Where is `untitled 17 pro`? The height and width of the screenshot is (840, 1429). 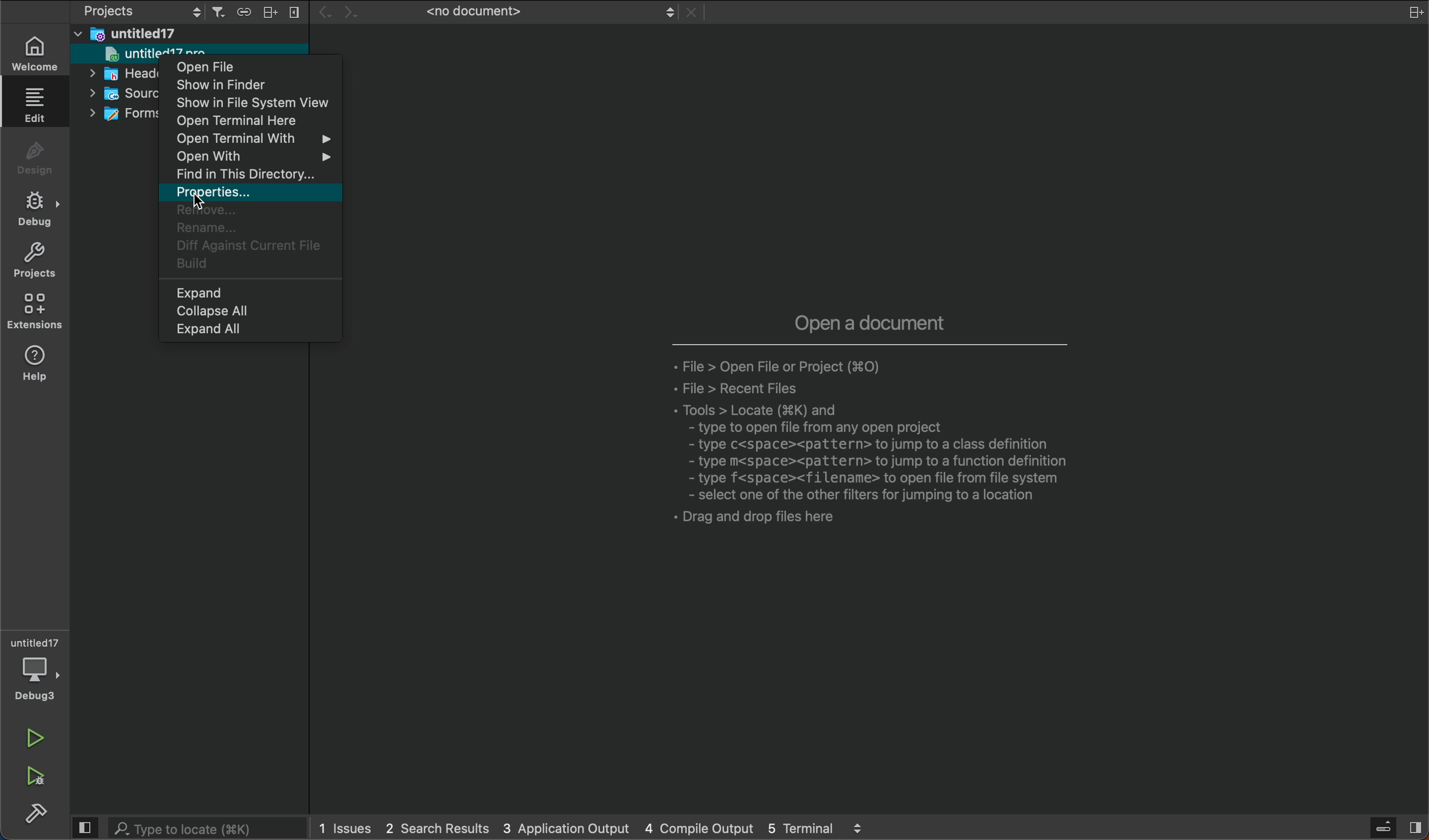 untitled 17 pro is located at coordinates (130, 54).